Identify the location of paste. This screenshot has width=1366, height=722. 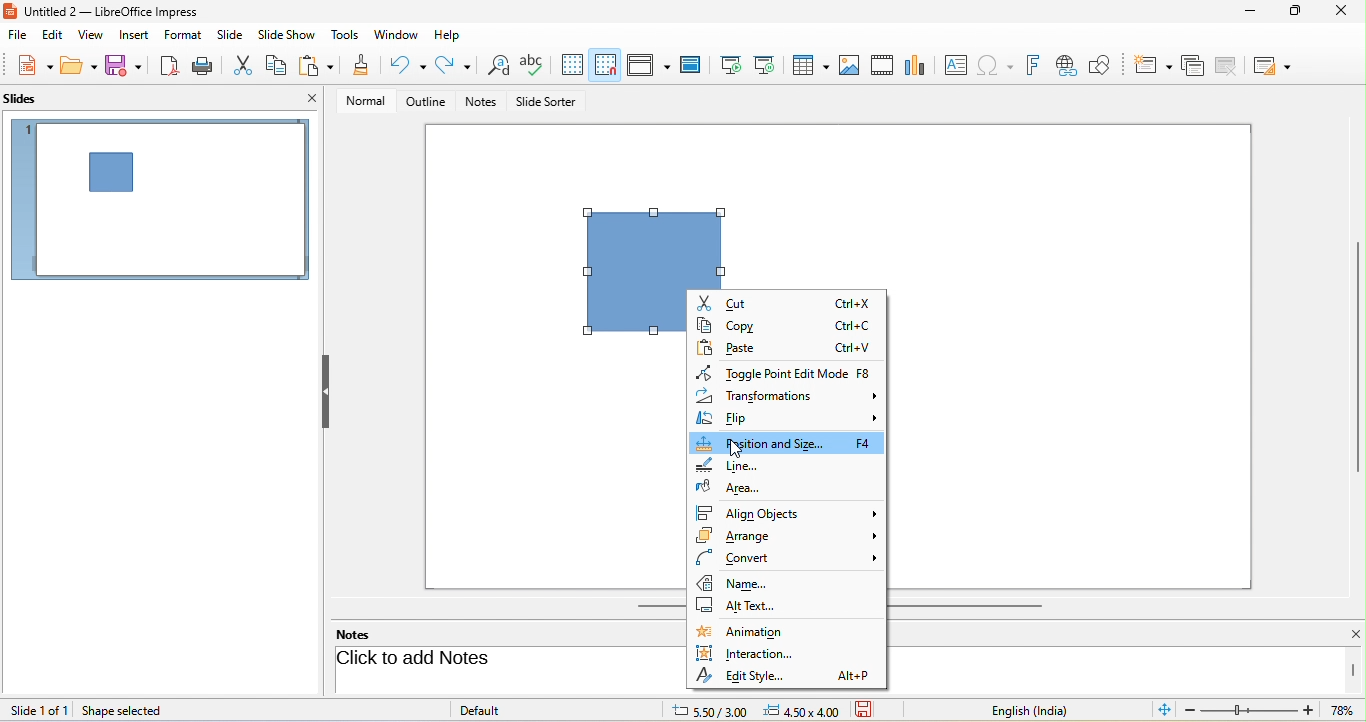
(319, 67).